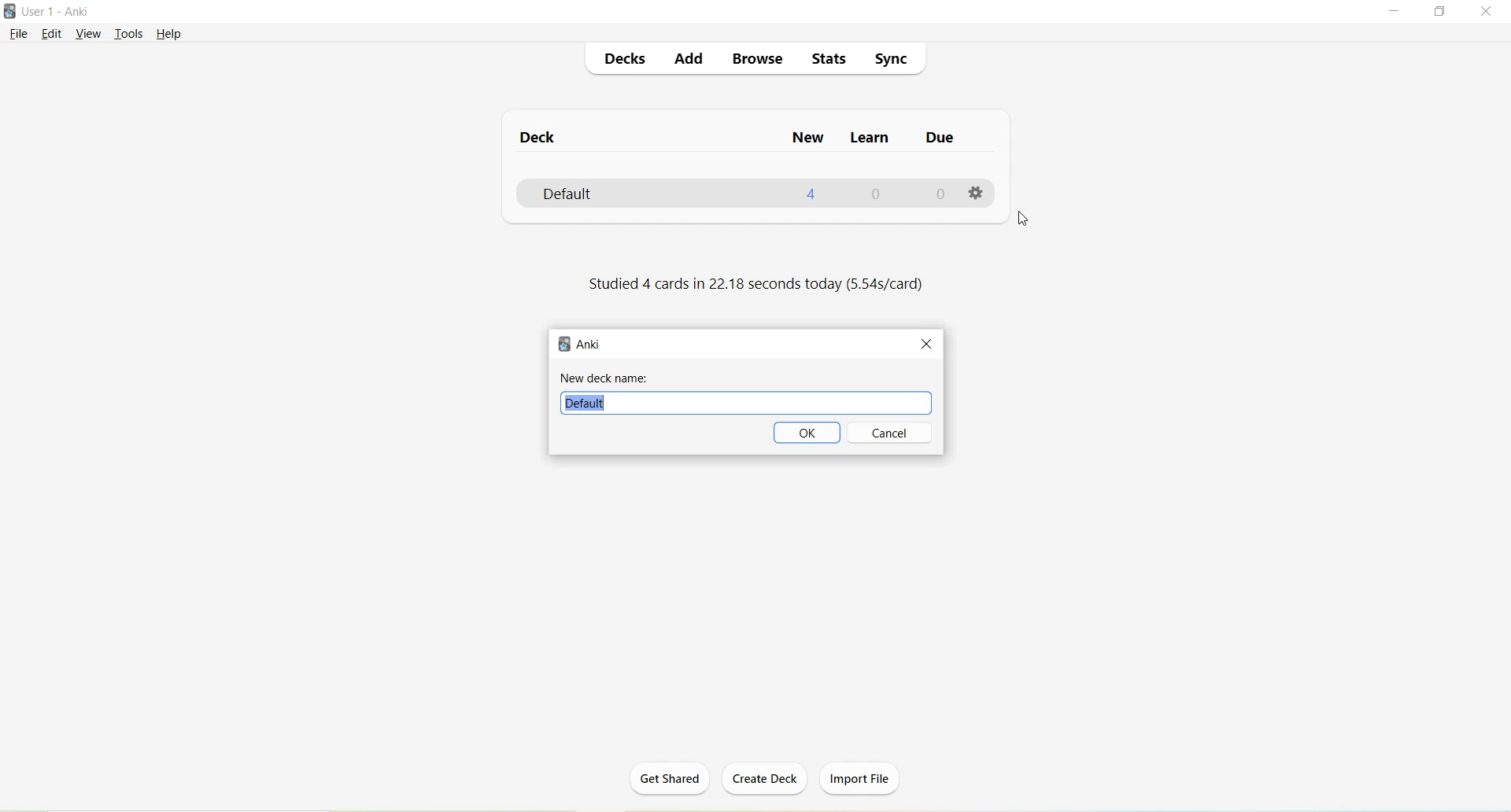 The height and width of the screenshot is (812, 1511). I want to click on View, so click(87, 34).